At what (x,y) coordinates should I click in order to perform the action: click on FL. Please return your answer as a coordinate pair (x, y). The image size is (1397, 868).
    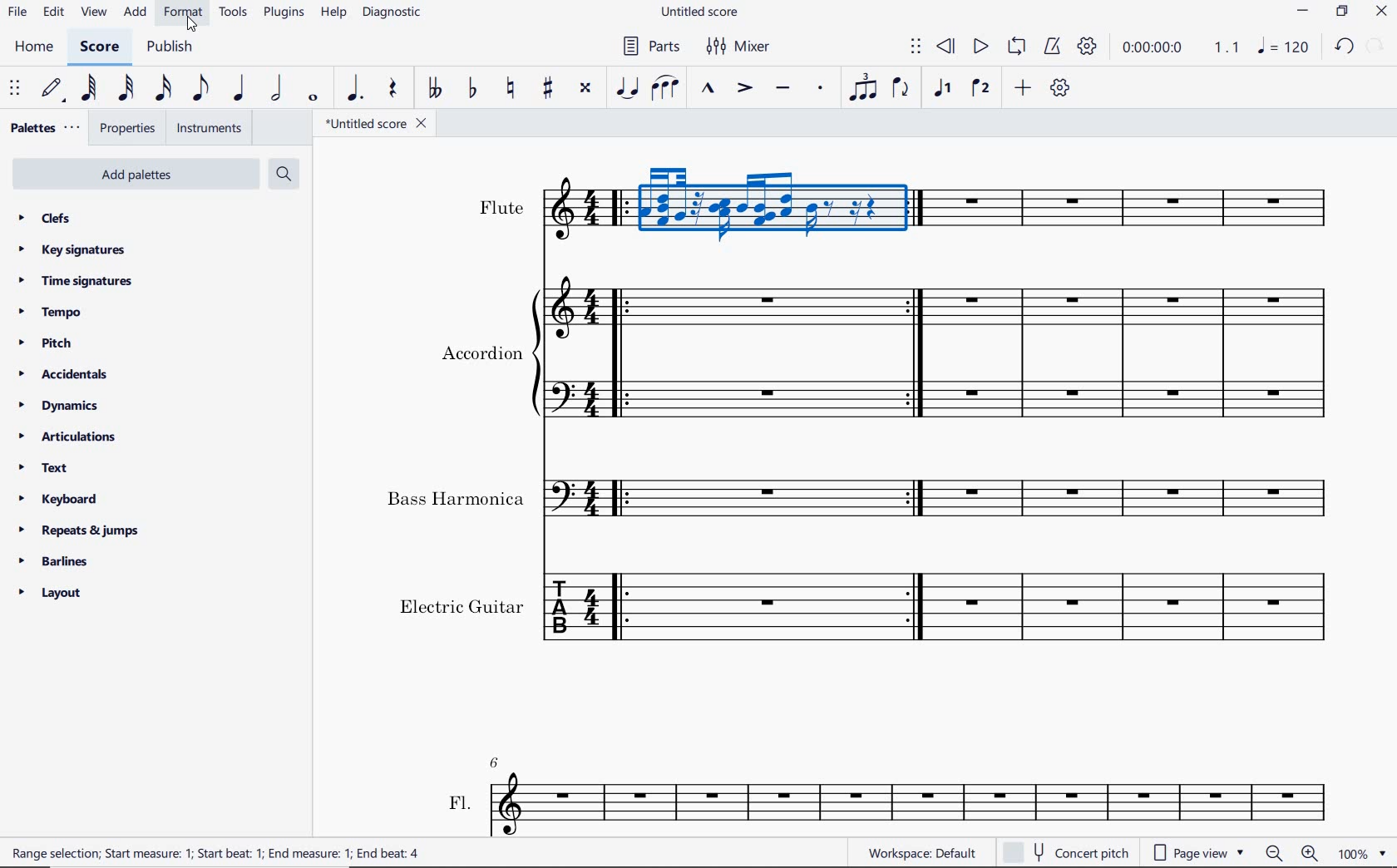
    Looking at the image, I should click on (886, 794).